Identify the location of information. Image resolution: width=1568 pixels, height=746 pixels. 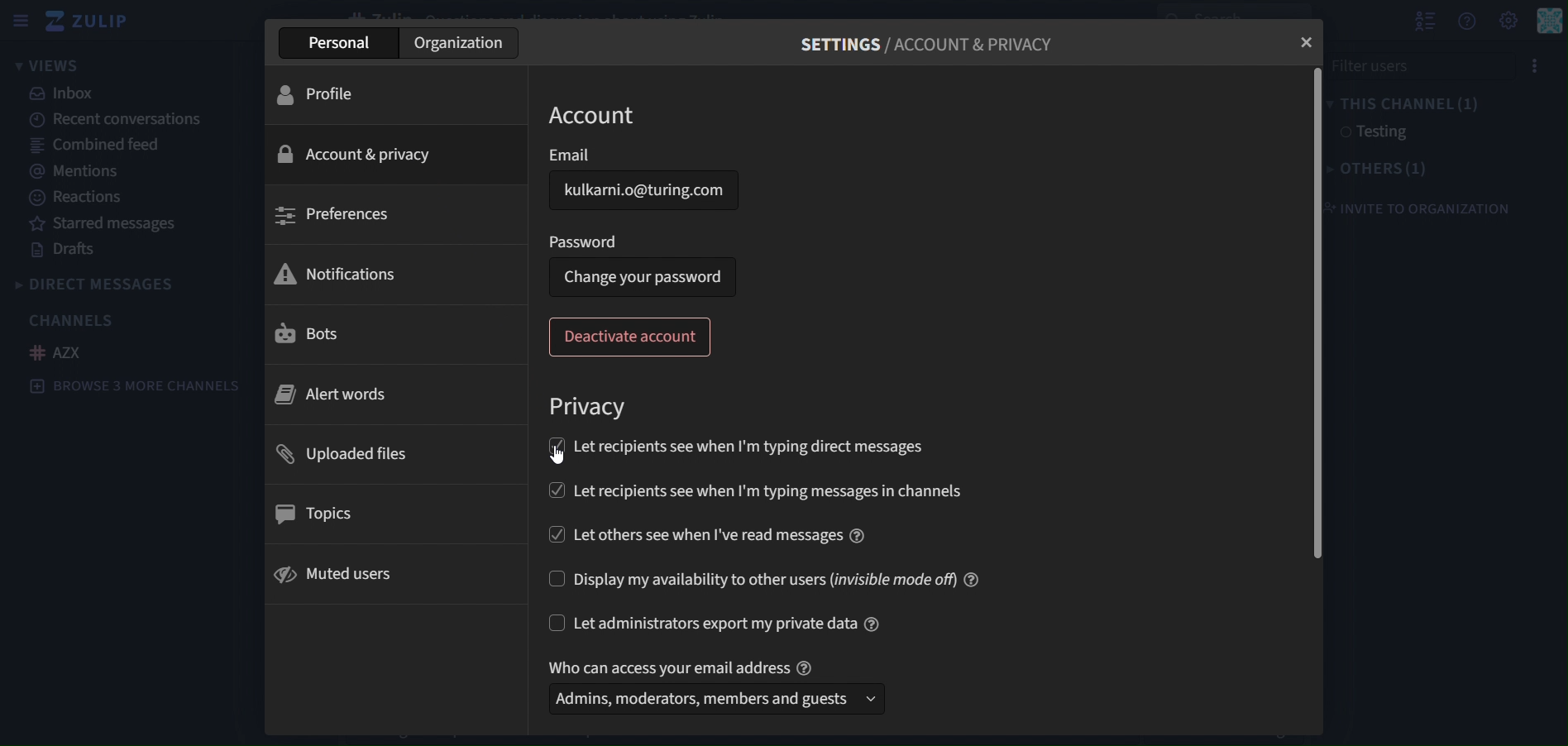
(879, 624).